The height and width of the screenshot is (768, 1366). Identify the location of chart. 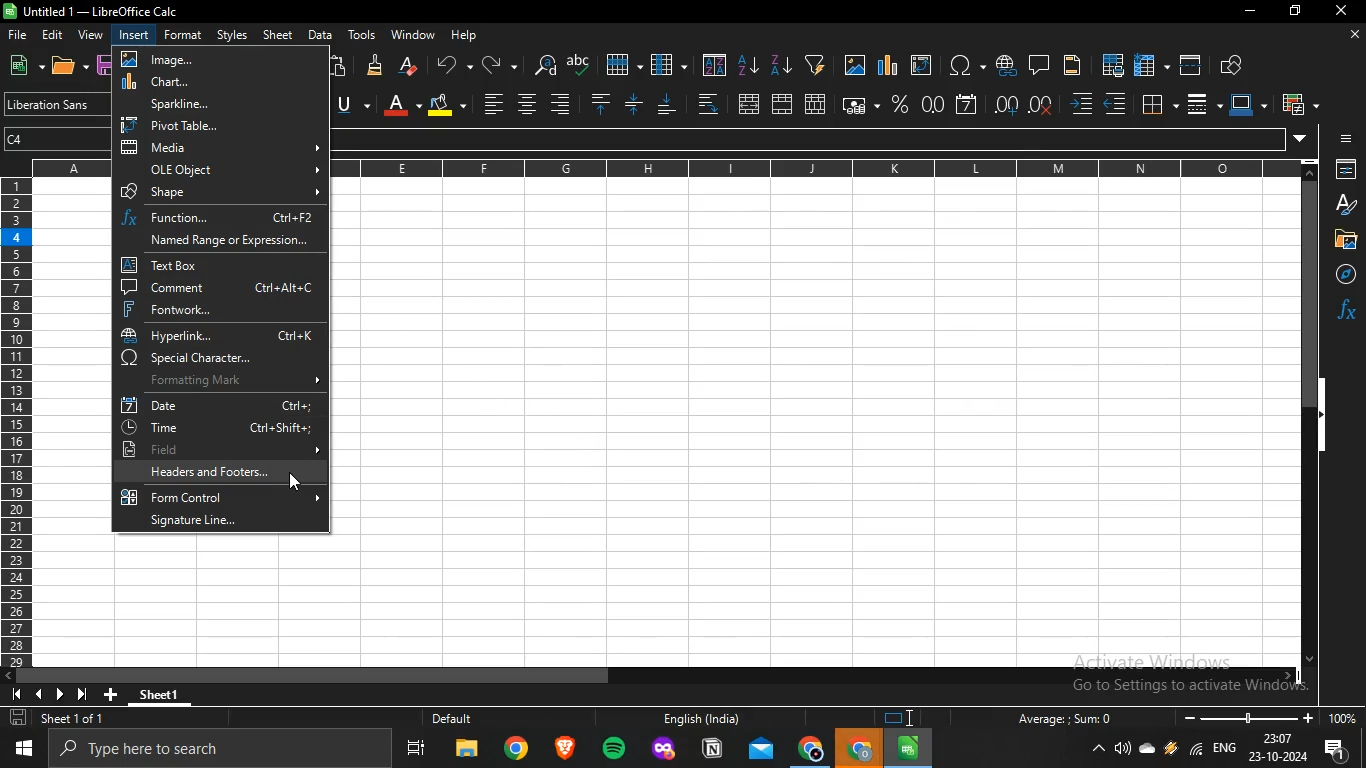
(211, 82).